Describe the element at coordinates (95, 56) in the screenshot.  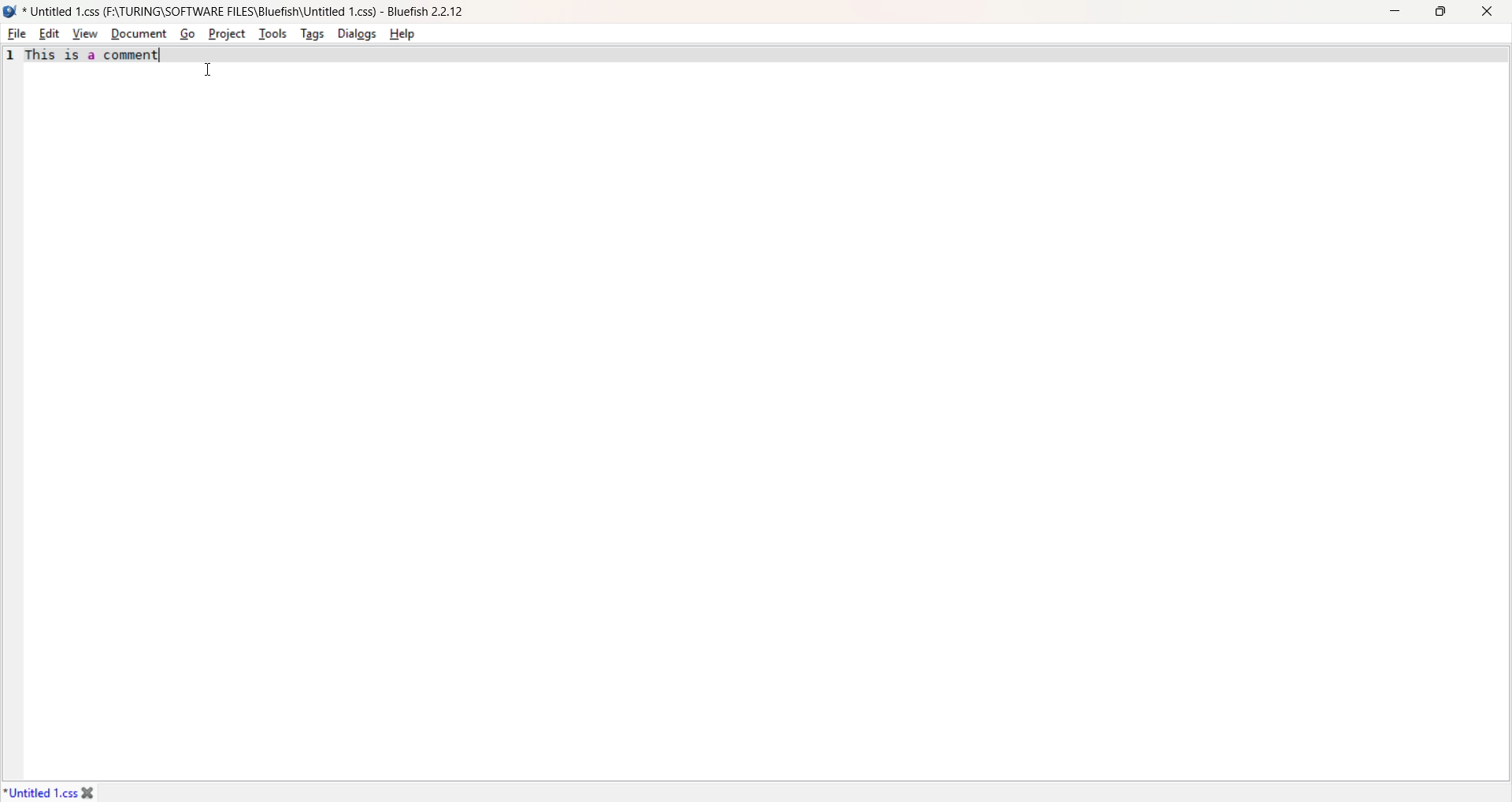
I see `This is a comment` at that location.